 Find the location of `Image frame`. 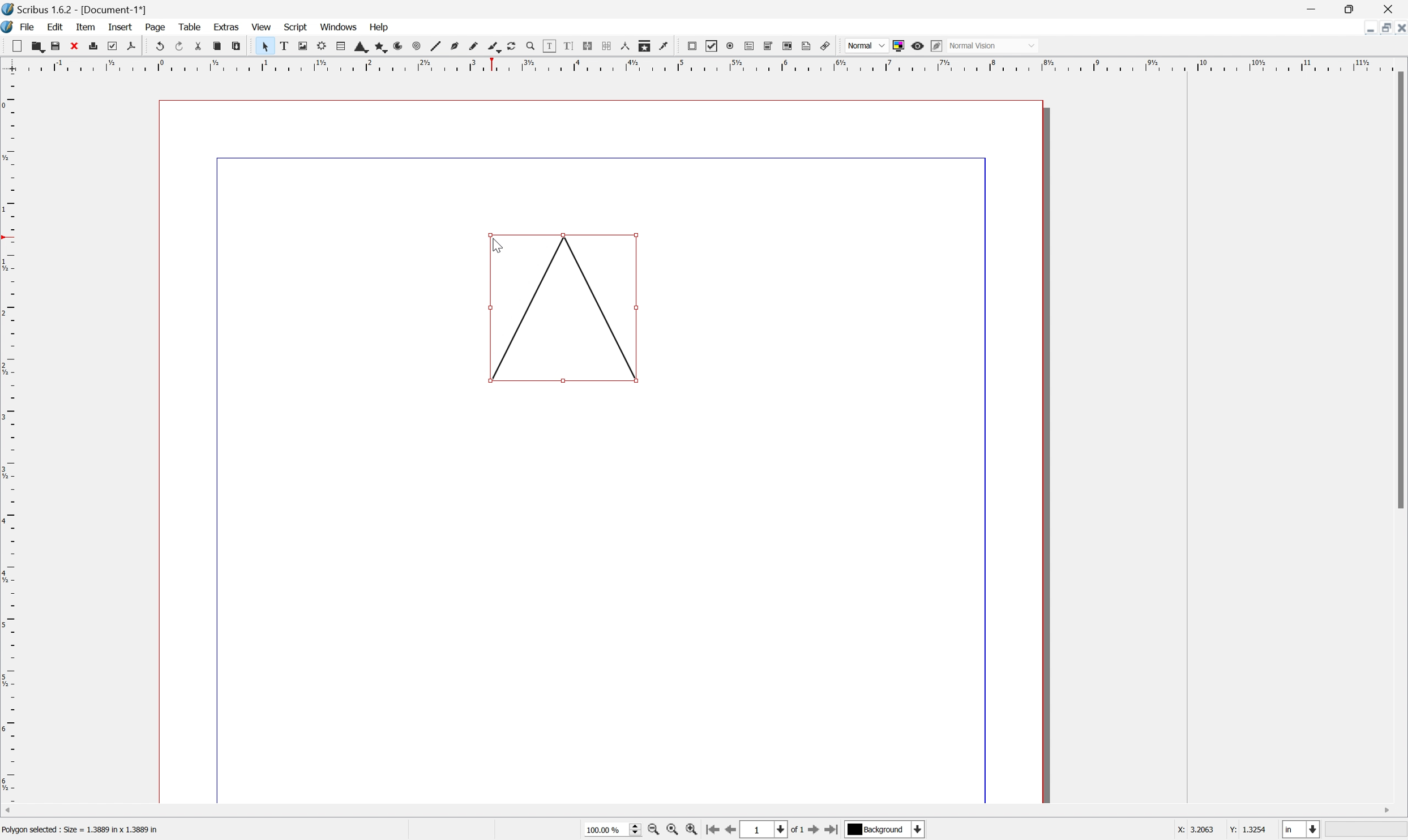

Image frame is located at coordinates (303, 45).